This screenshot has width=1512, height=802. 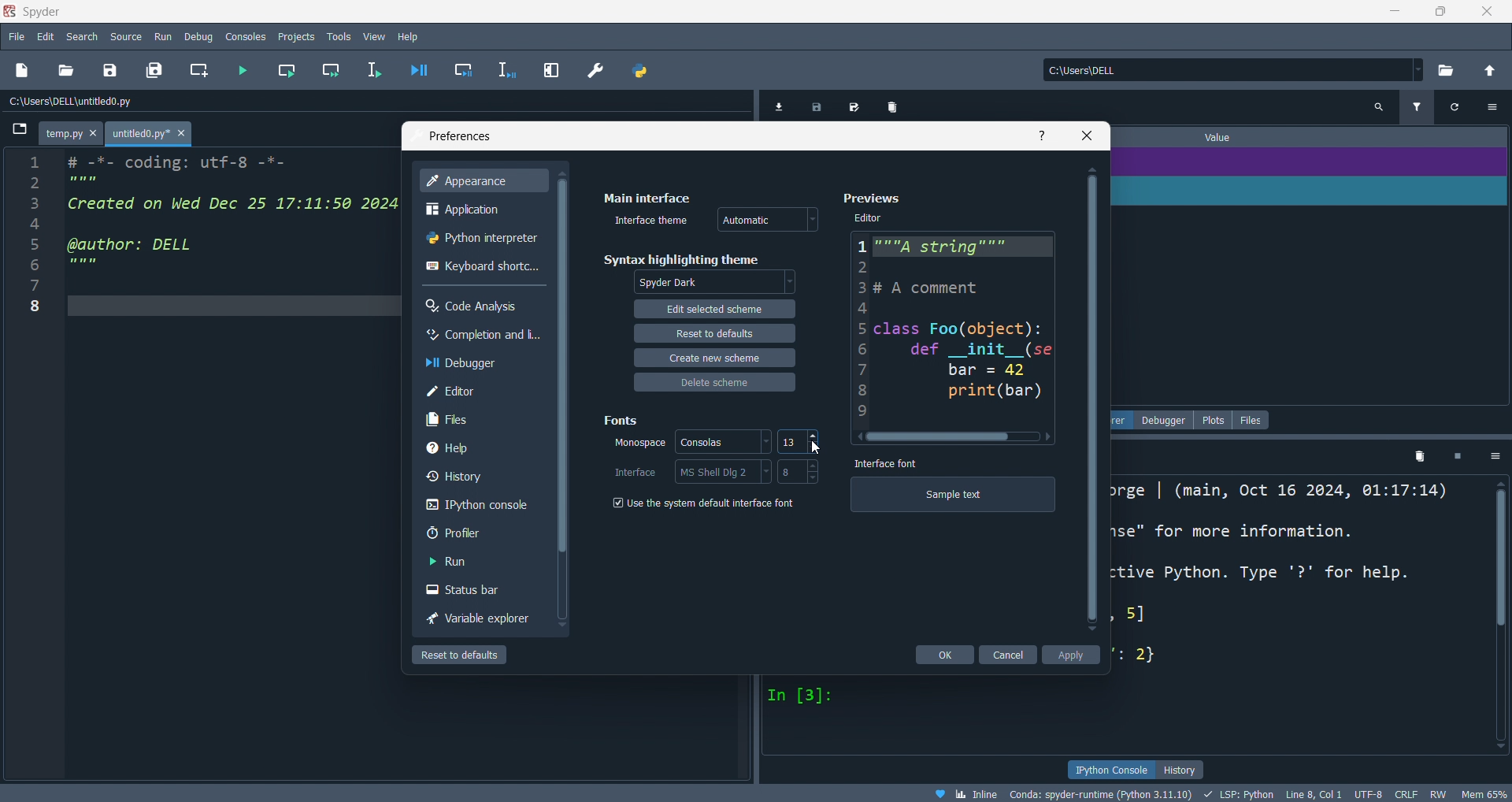 I want to click on 1 # -*- coding: utf-8 -*-, so click(x=156, y=161).